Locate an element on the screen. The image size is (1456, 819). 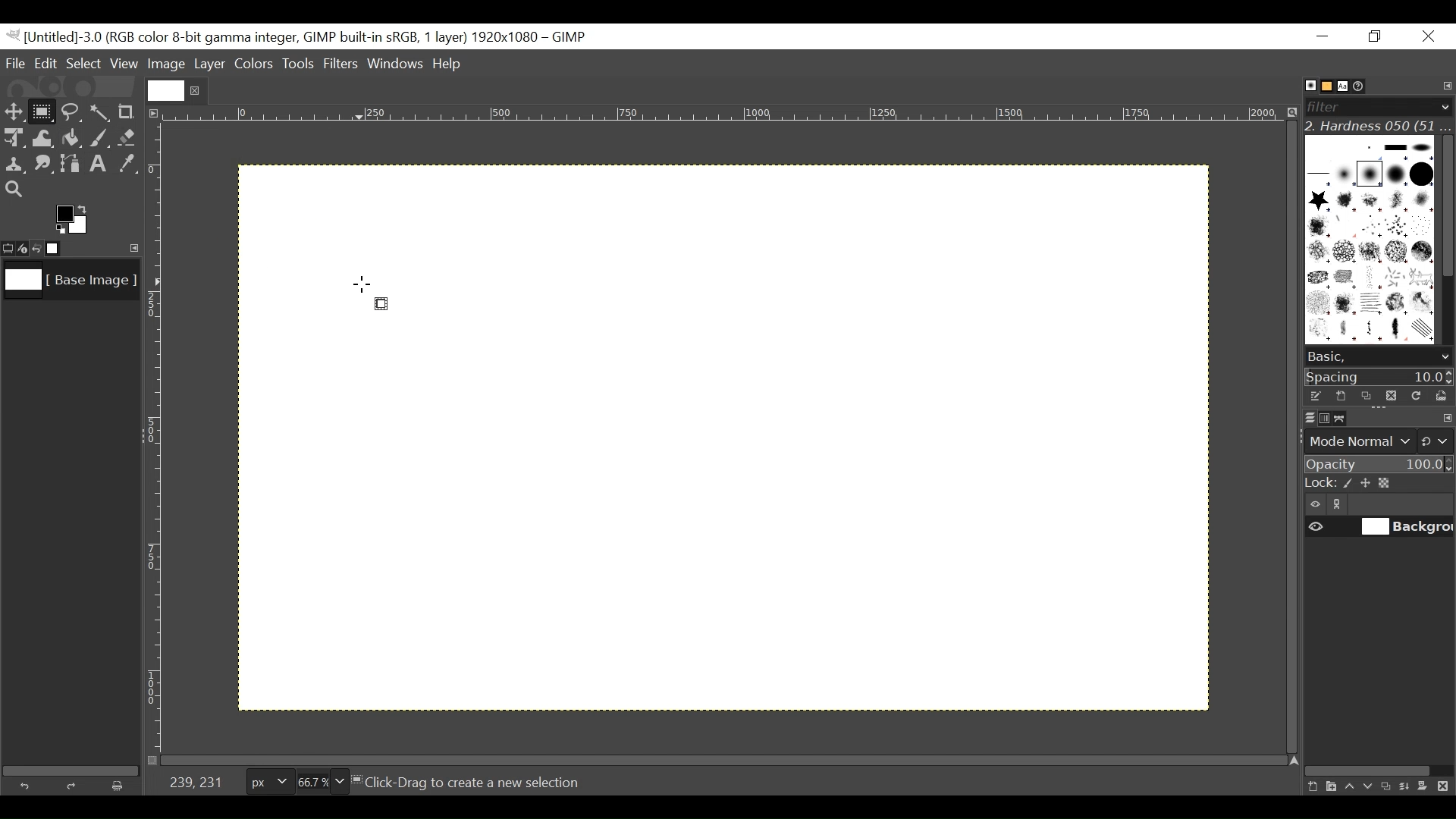
Undo last action is located at coordinates (37, 248).